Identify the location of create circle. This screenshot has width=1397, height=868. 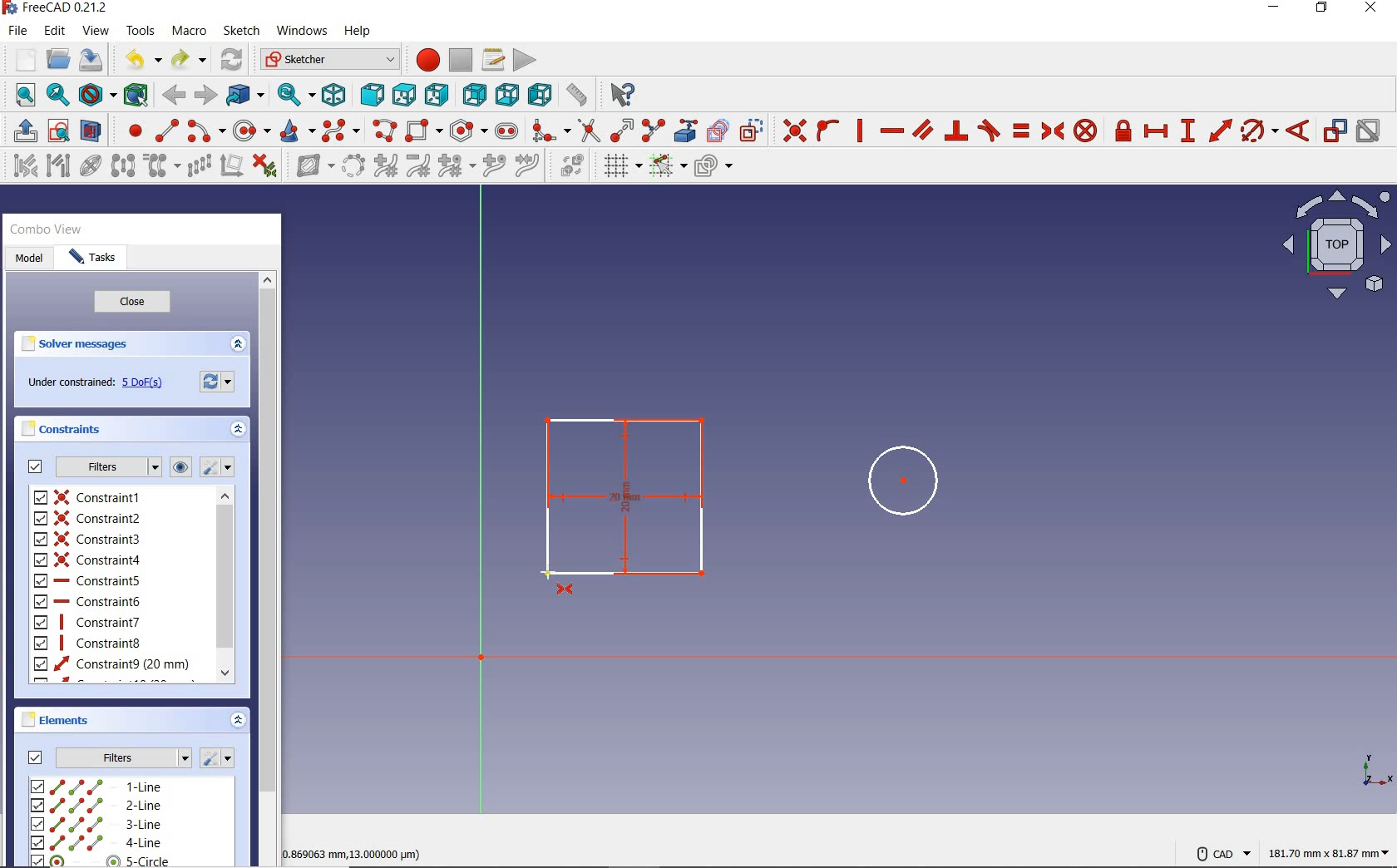
(253, 130).